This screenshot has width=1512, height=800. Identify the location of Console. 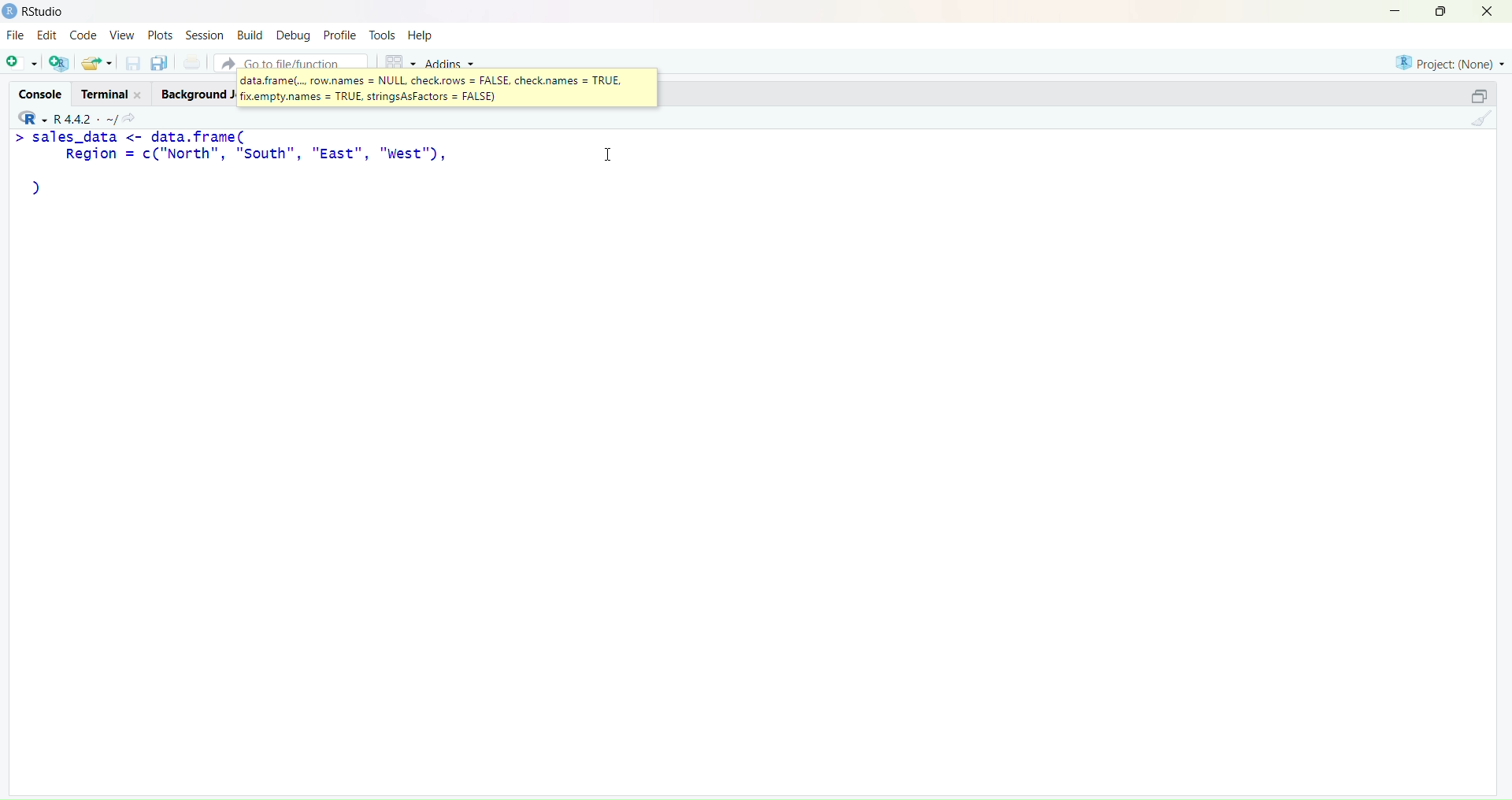
(37, 91).